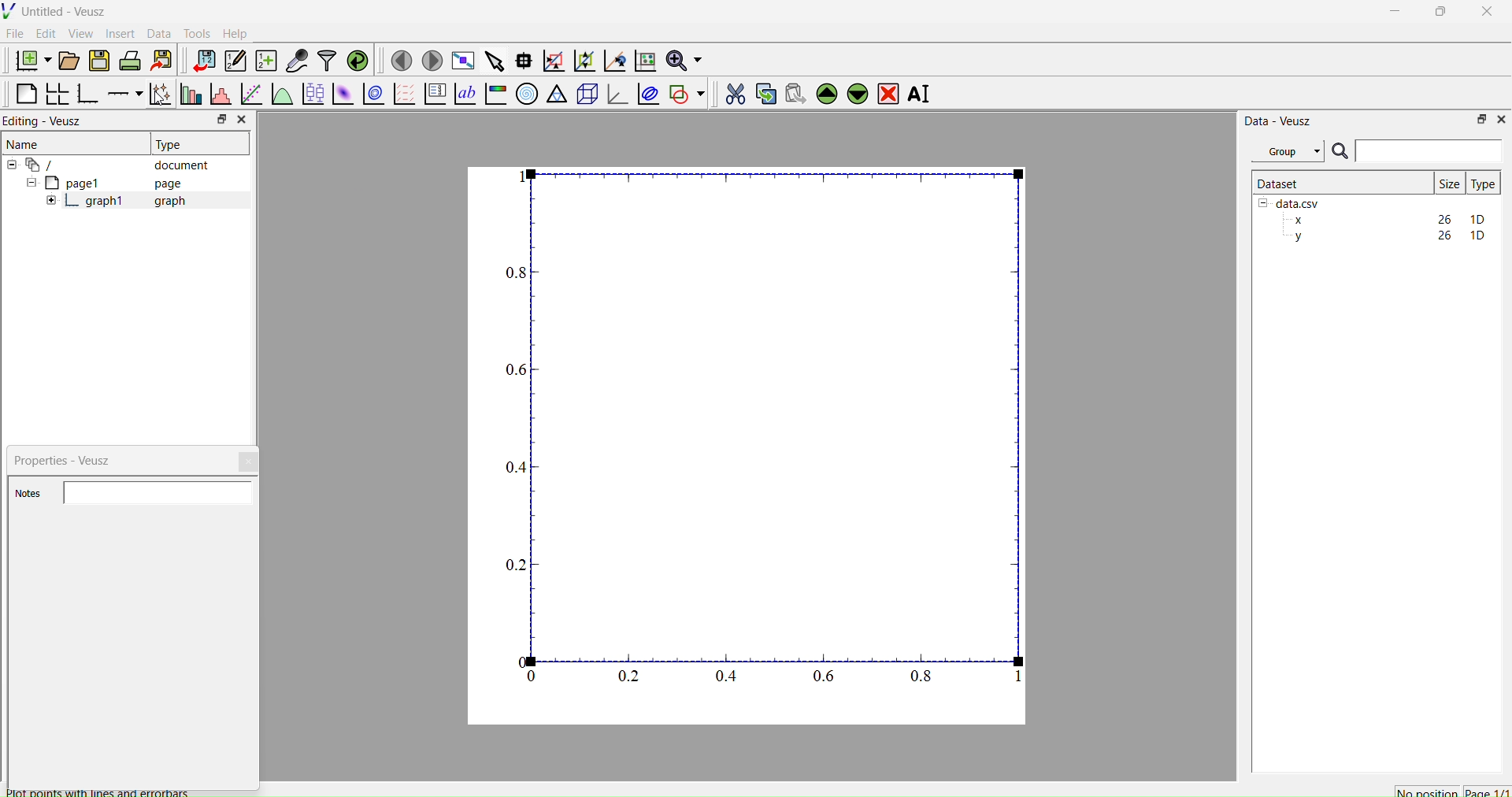 The height and width of the screenshot is (797, 1512). Describe the element at coordinates (265, 61) in the screenshot. I see `Create a new dataset` at that location.